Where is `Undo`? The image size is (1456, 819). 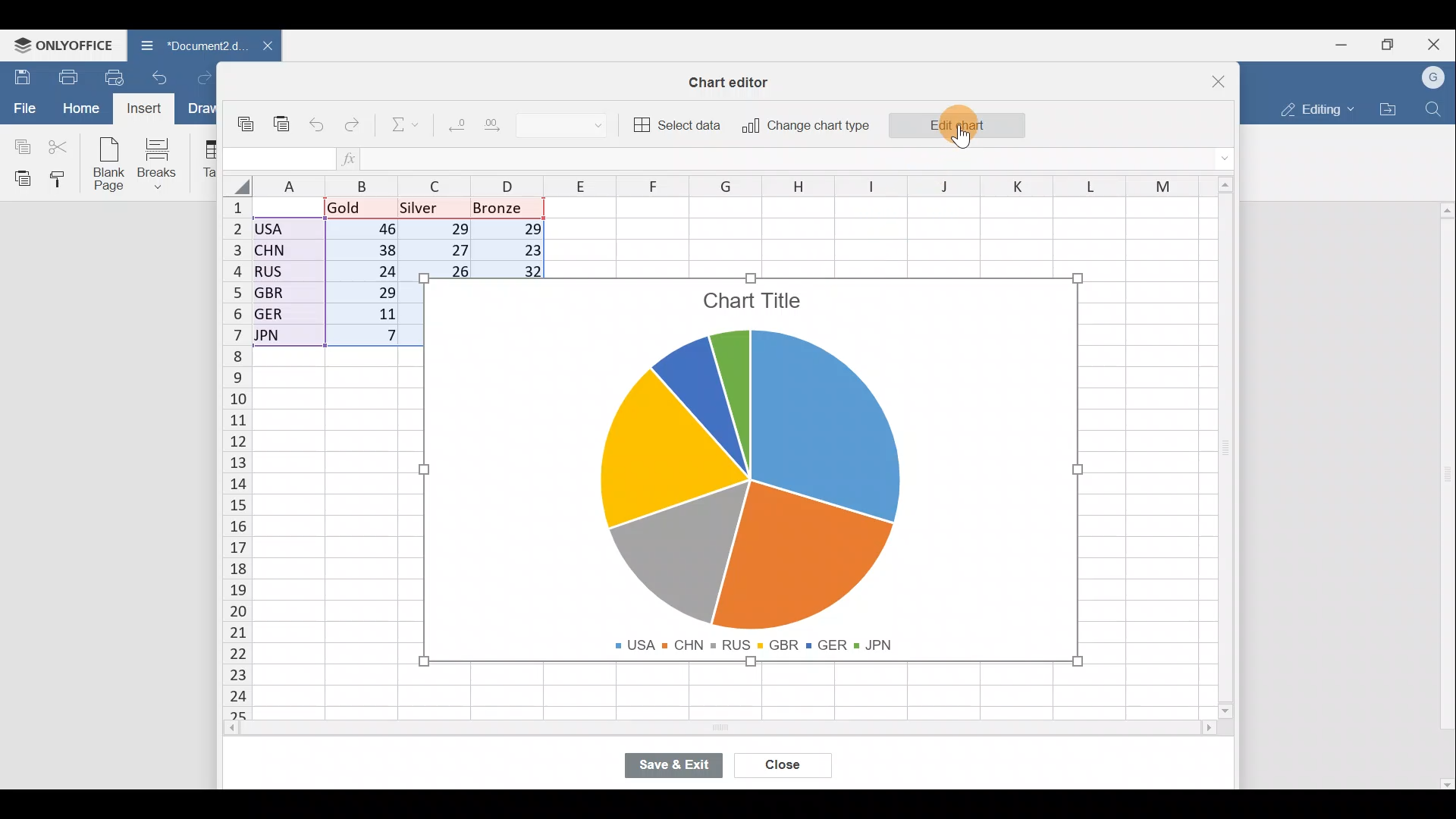
Undo is located at coordinates (320, 126).